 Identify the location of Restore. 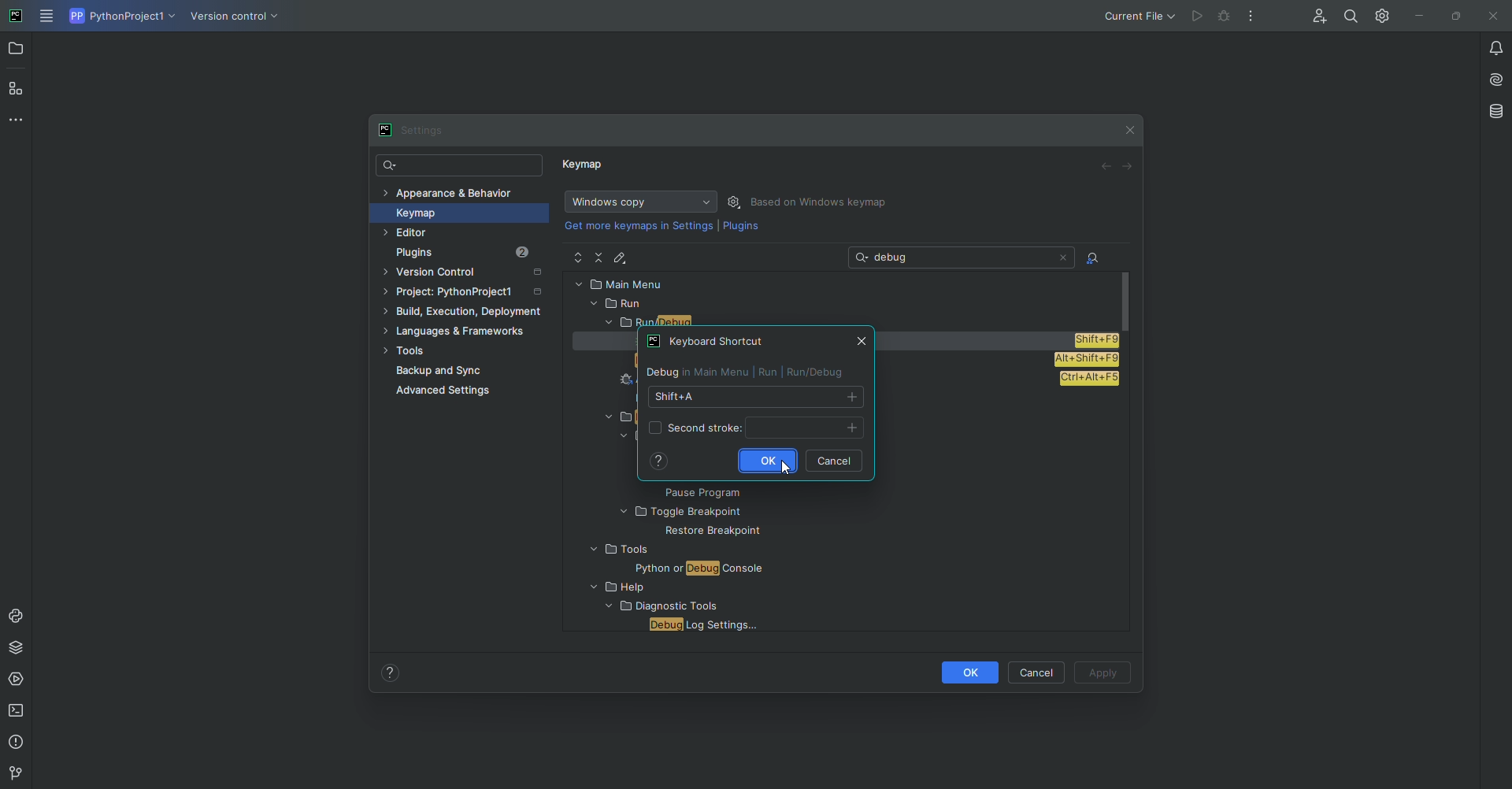
(1452, 15).